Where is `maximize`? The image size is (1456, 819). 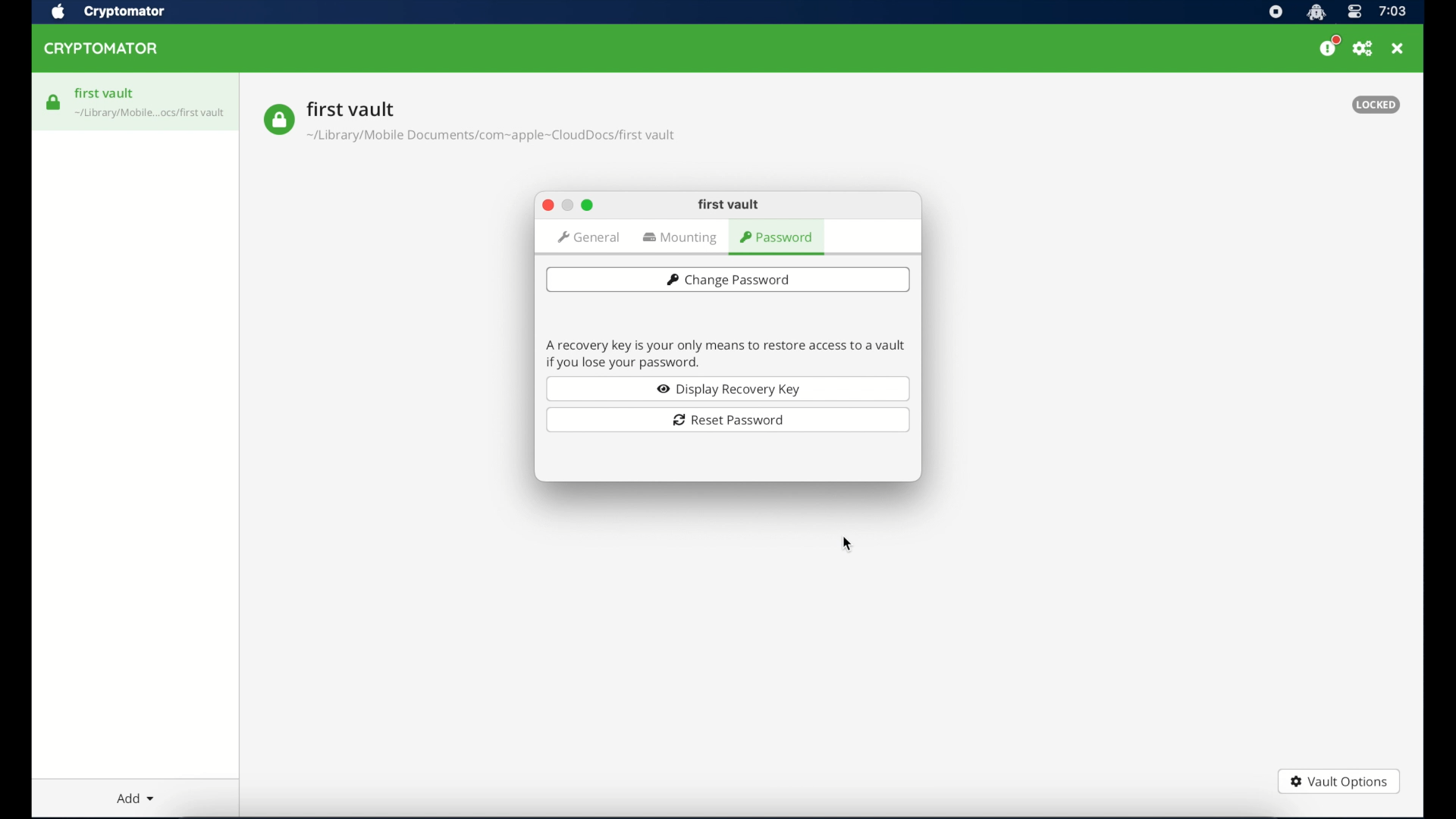
maximize is located at coordinates (588, 205).